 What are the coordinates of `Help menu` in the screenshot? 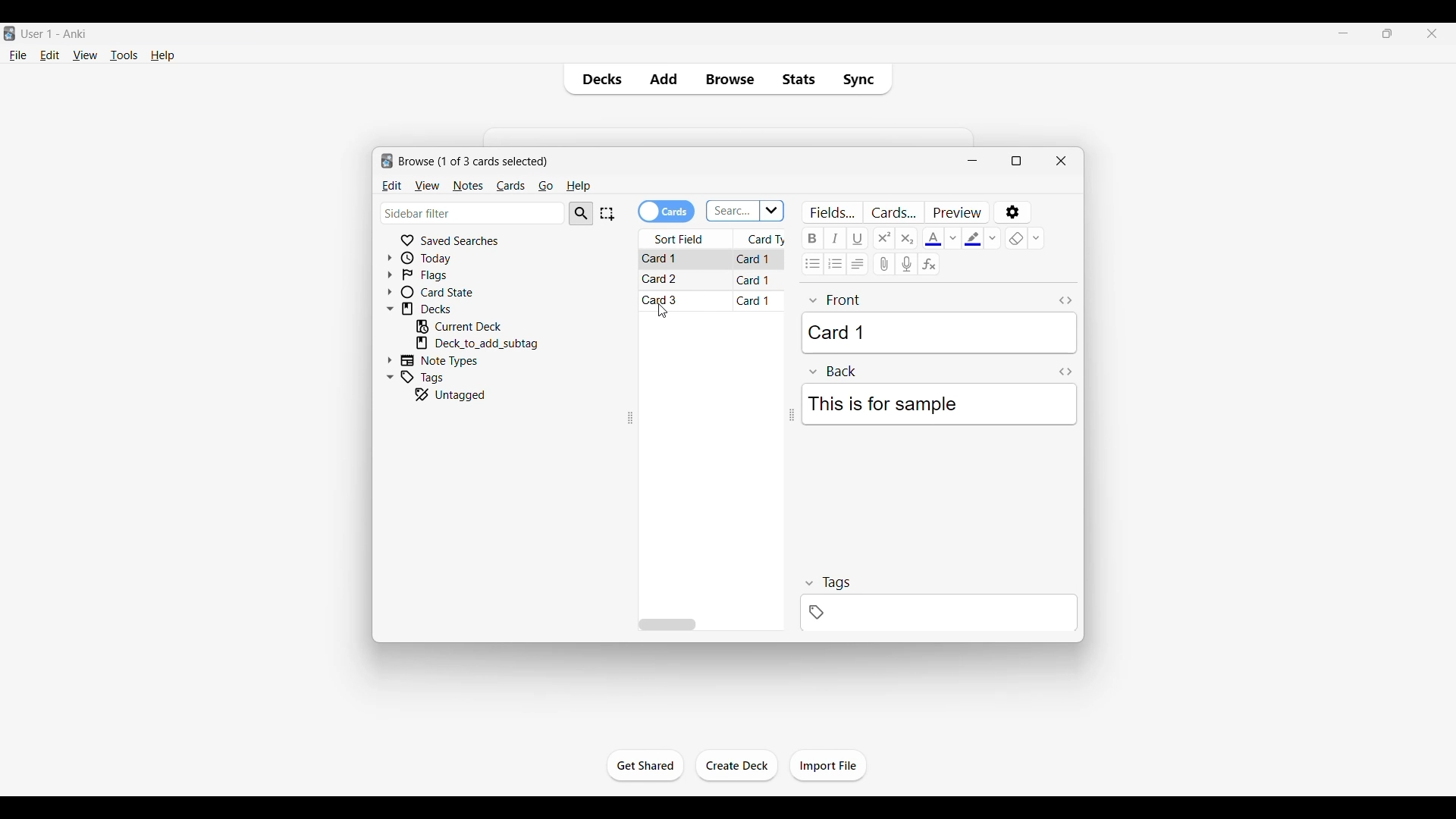 It's located at (578, 187).